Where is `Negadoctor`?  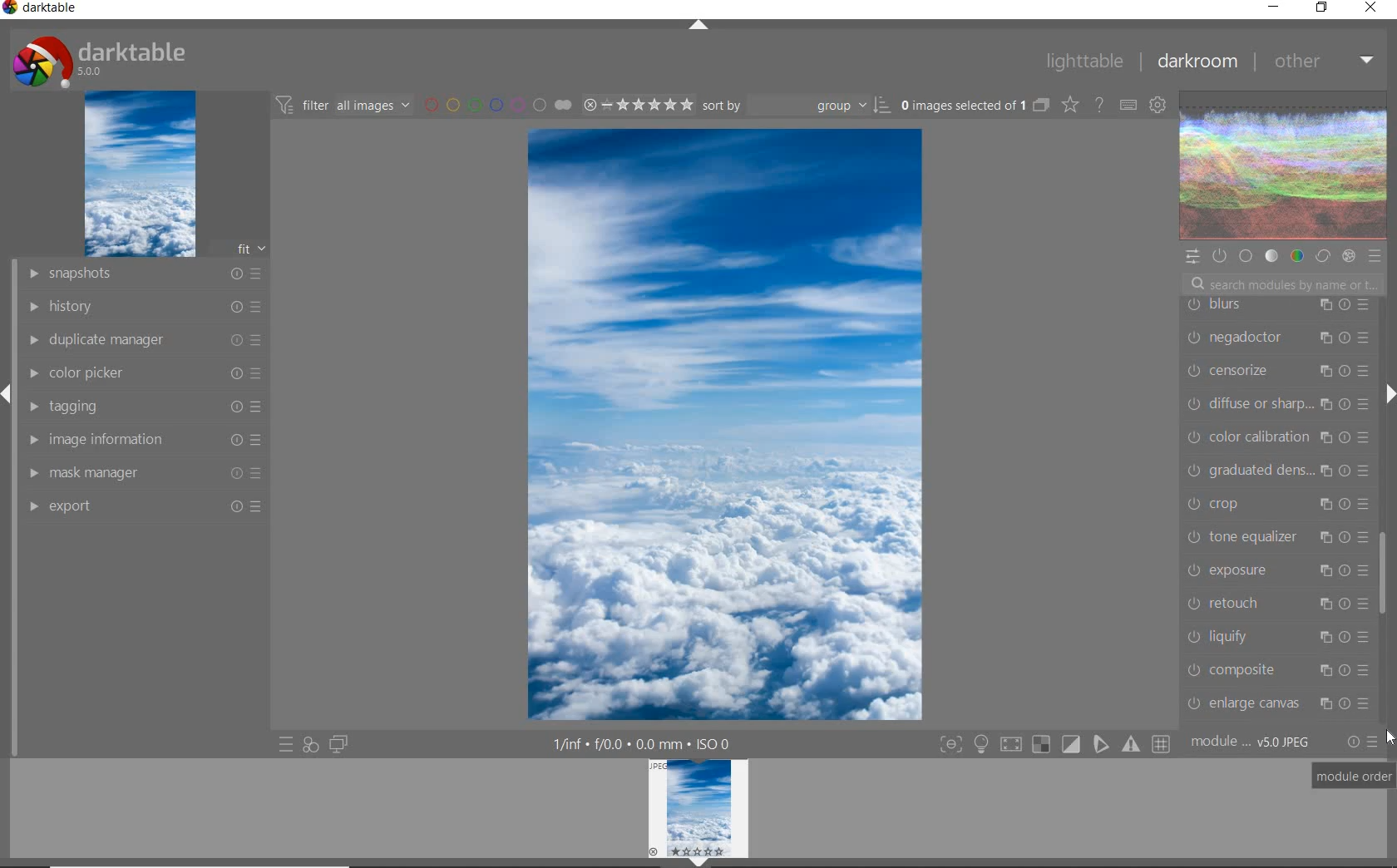 Negadoctor is located at coordinates (1274, 338).